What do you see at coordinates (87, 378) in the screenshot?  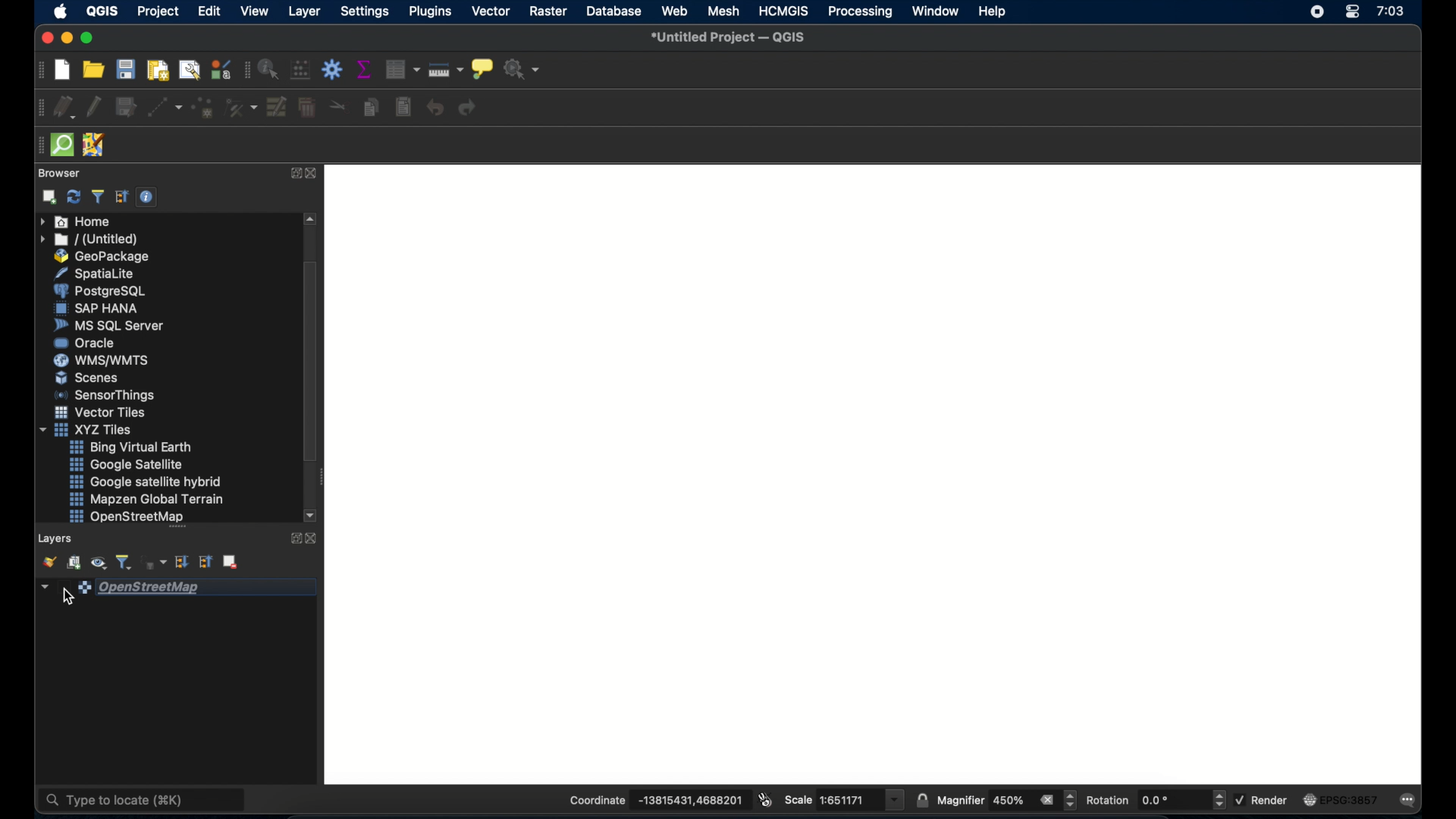 I see `scenes` at bounding box center [87, 378].